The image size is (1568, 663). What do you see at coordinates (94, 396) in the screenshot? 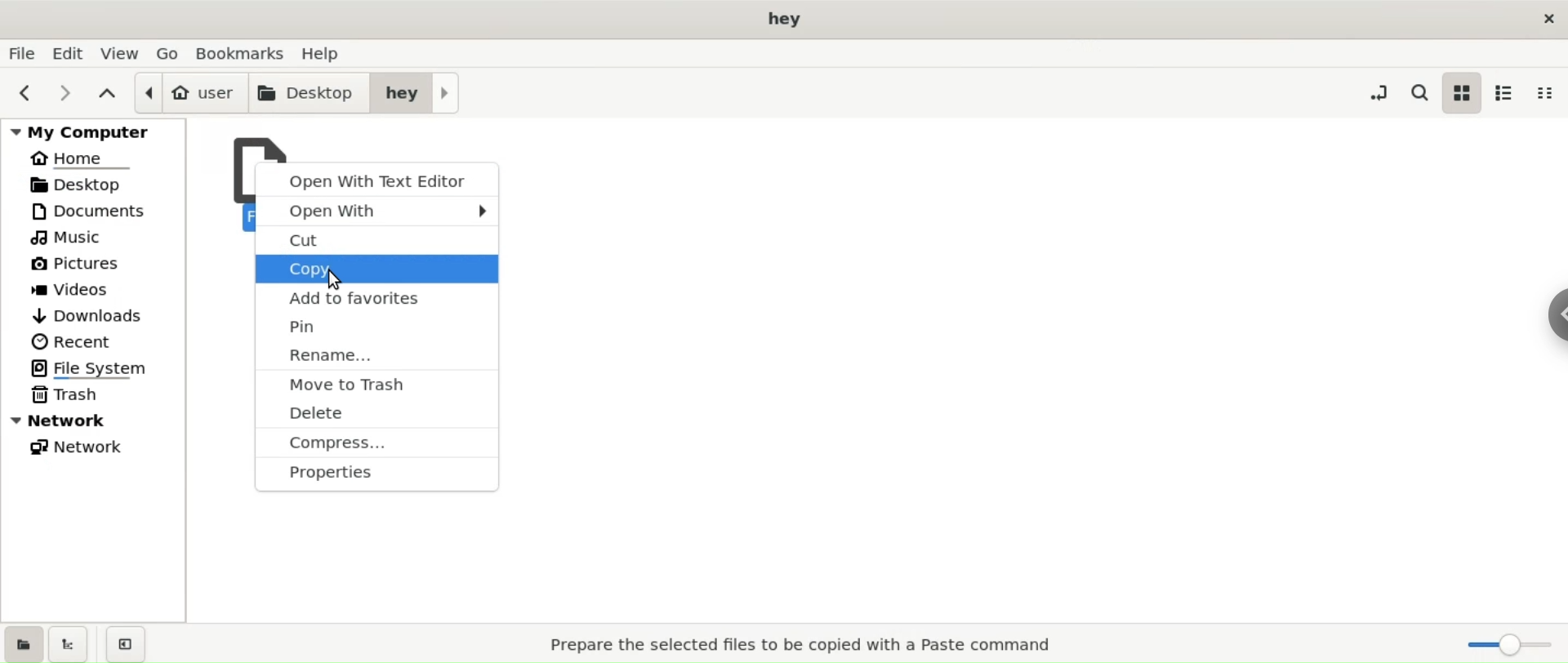
I see `trash` at bounding box center [94, 396].